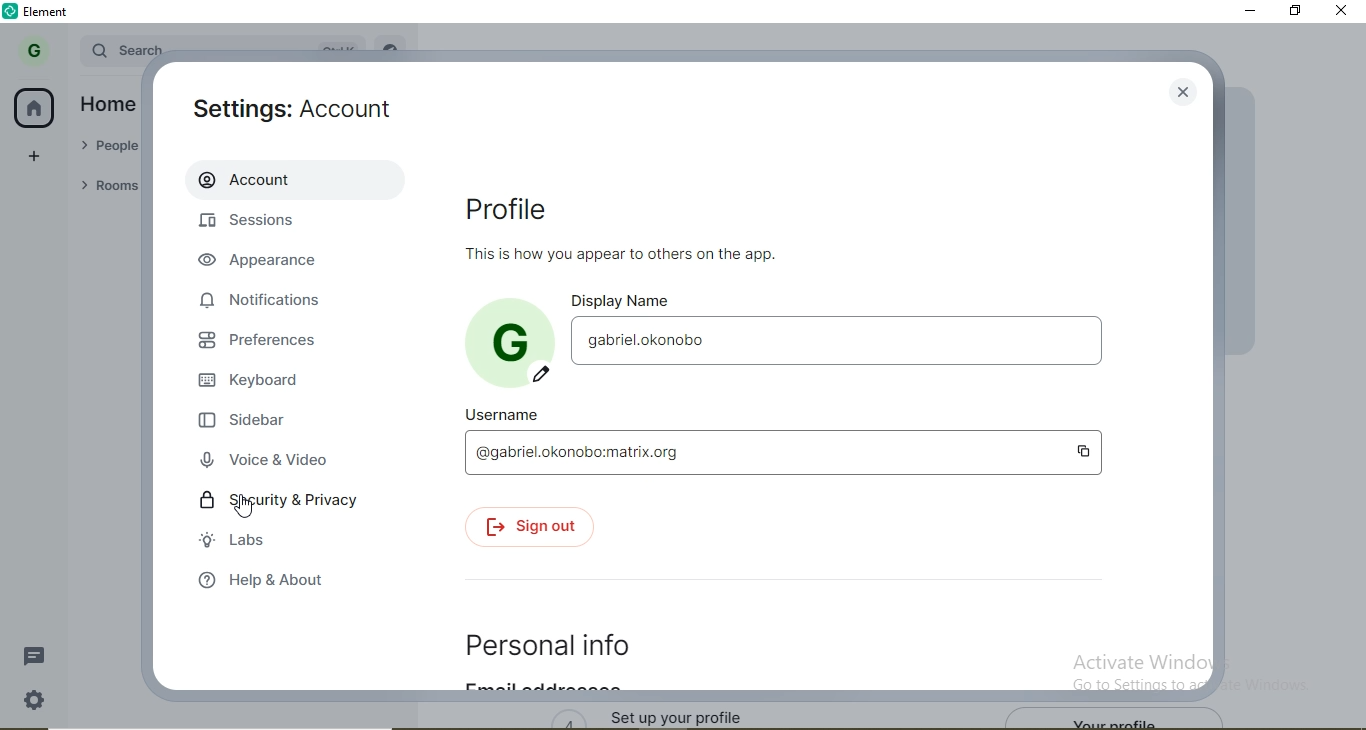 The width and height of the screenshot is (1366, 730). I want to click on text1, so click(623, 253).